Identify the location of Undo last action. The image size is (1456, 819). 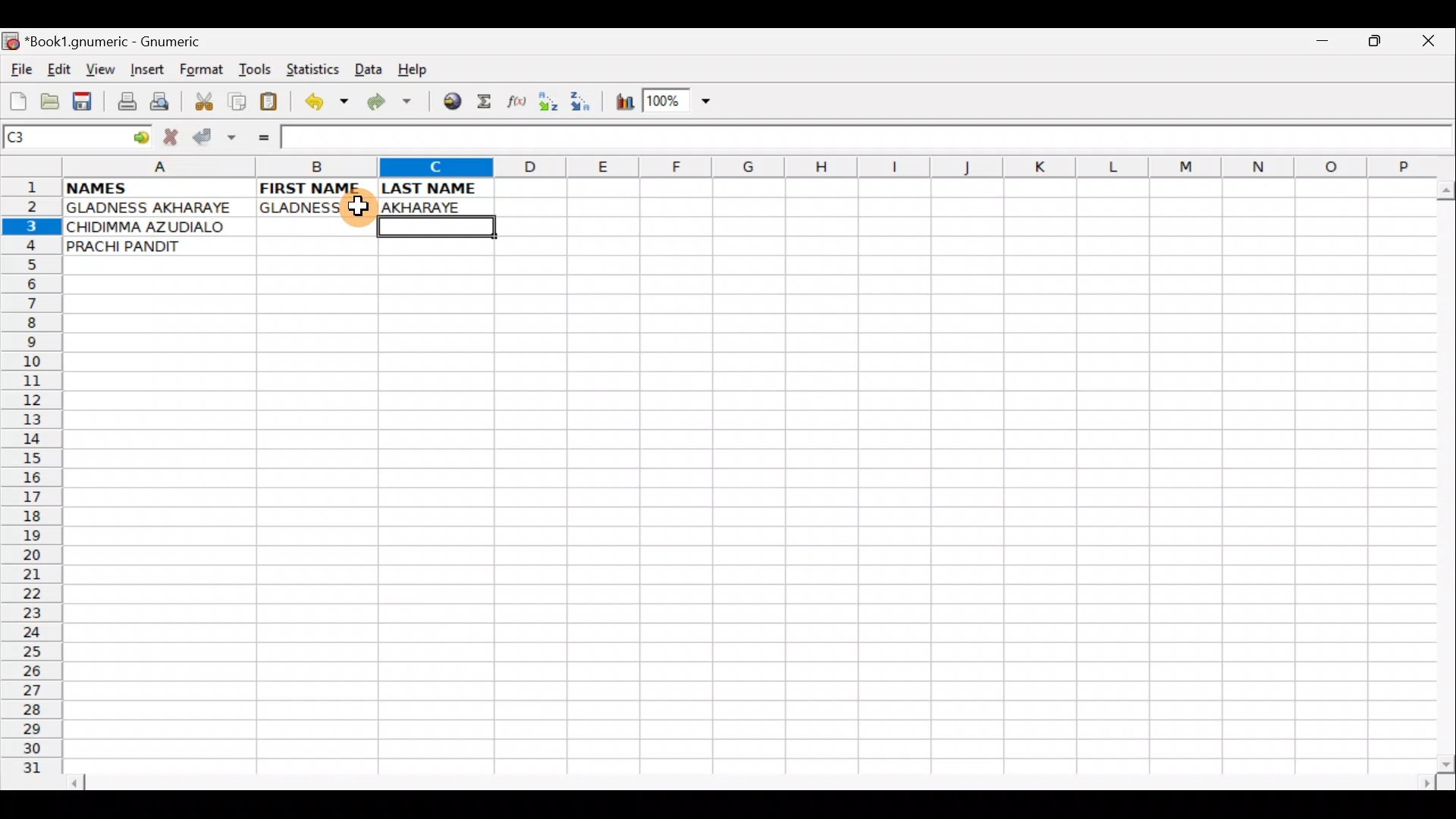
(328, 104).